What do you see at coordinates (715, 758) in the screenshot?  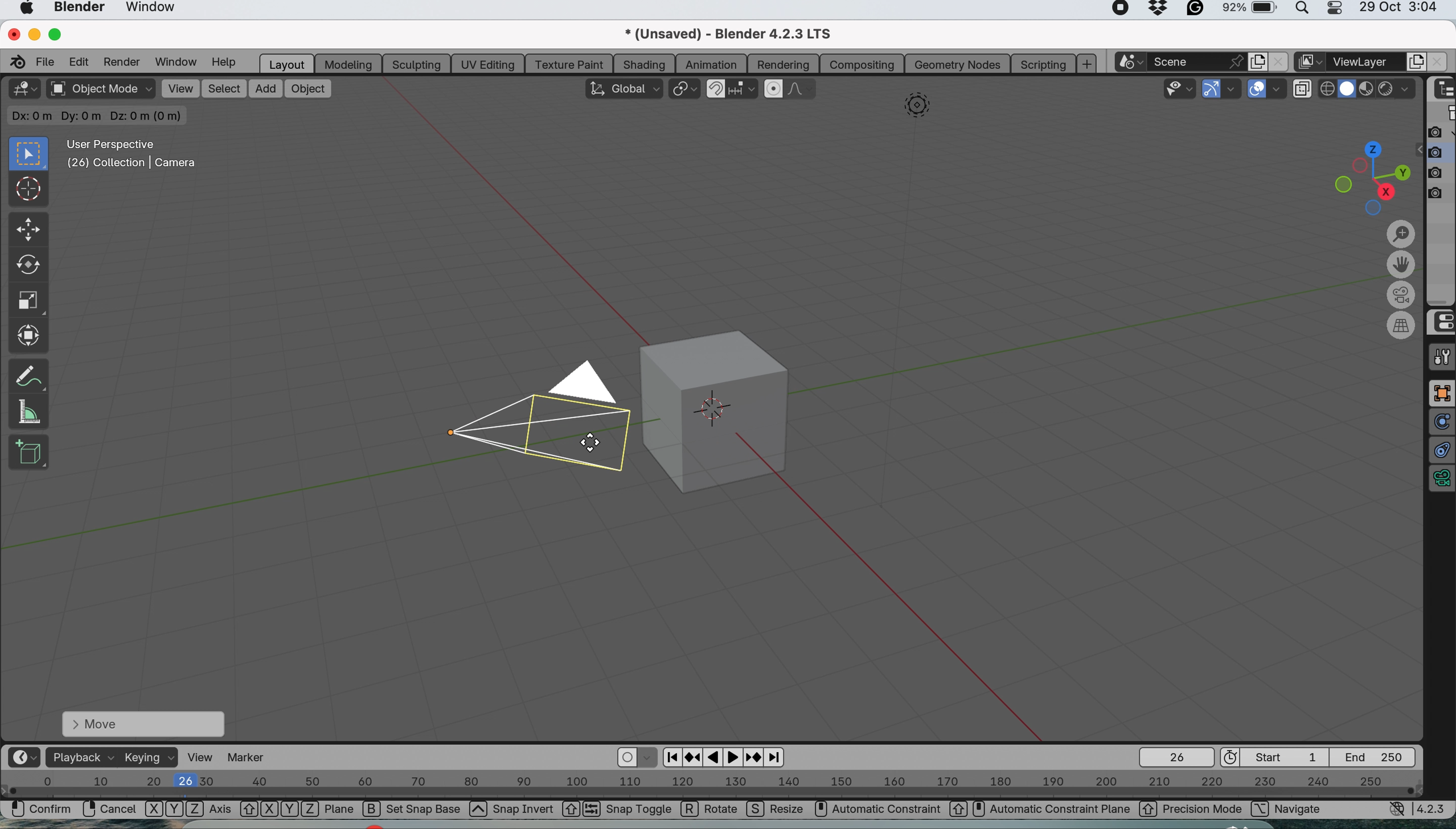 I see `pause` at bounding box center [715, 758].